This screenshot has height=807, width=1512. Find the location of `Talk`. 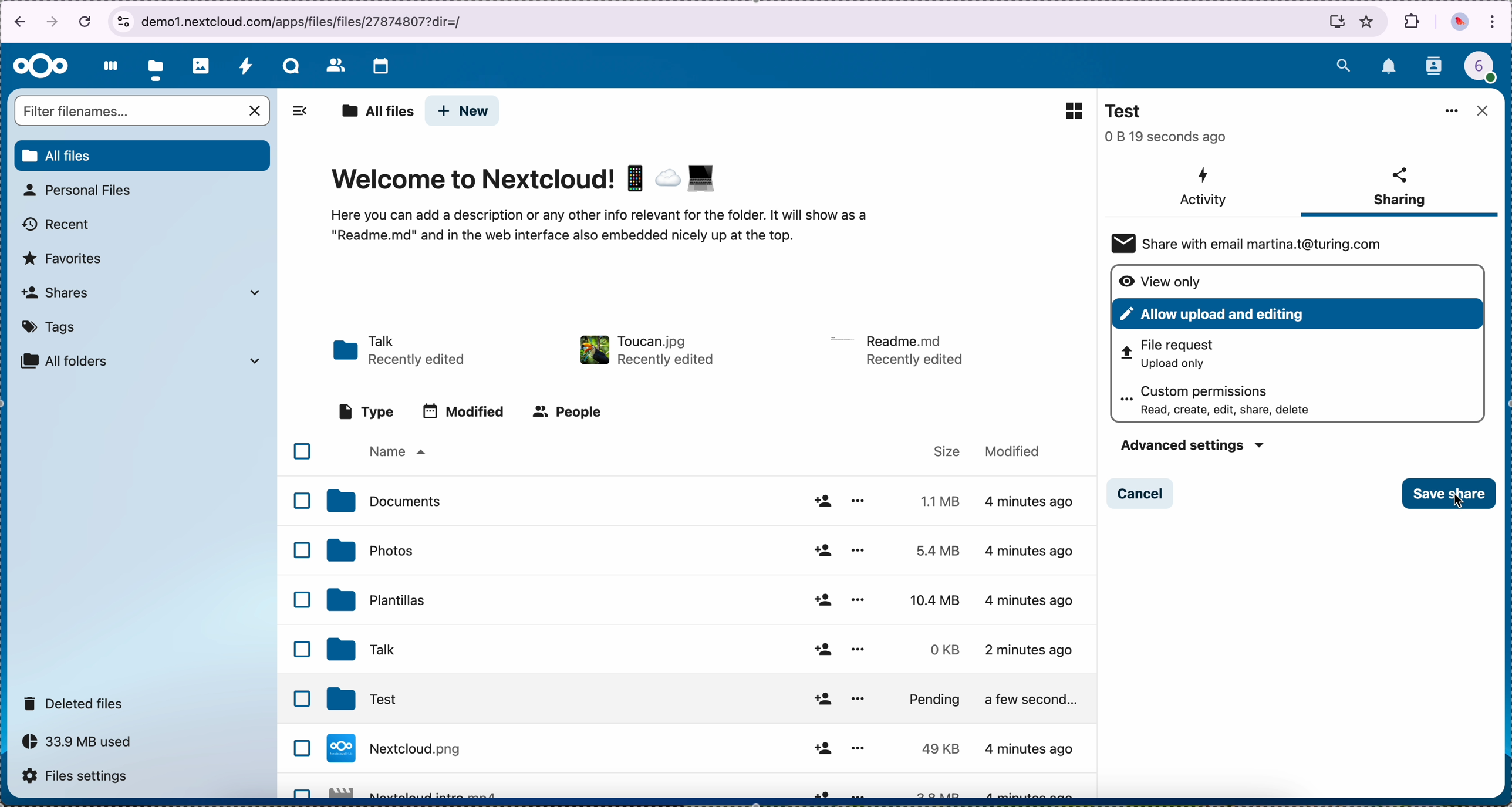

Talk is located at coordinates (699, 650).